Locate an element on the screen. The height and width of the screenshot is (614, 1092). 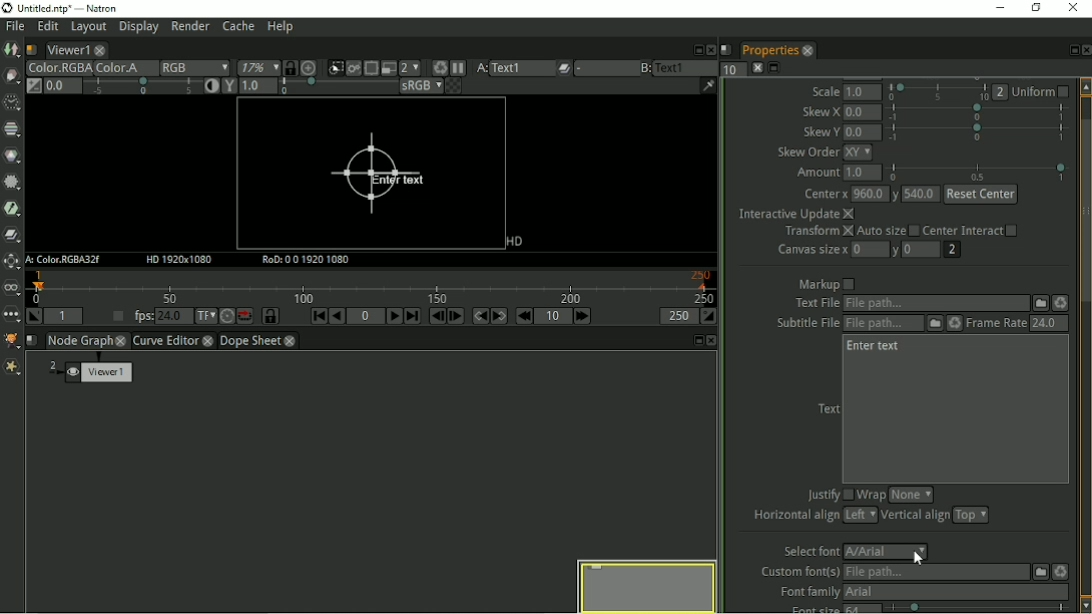
Cache is located at coordinates (238, 27).